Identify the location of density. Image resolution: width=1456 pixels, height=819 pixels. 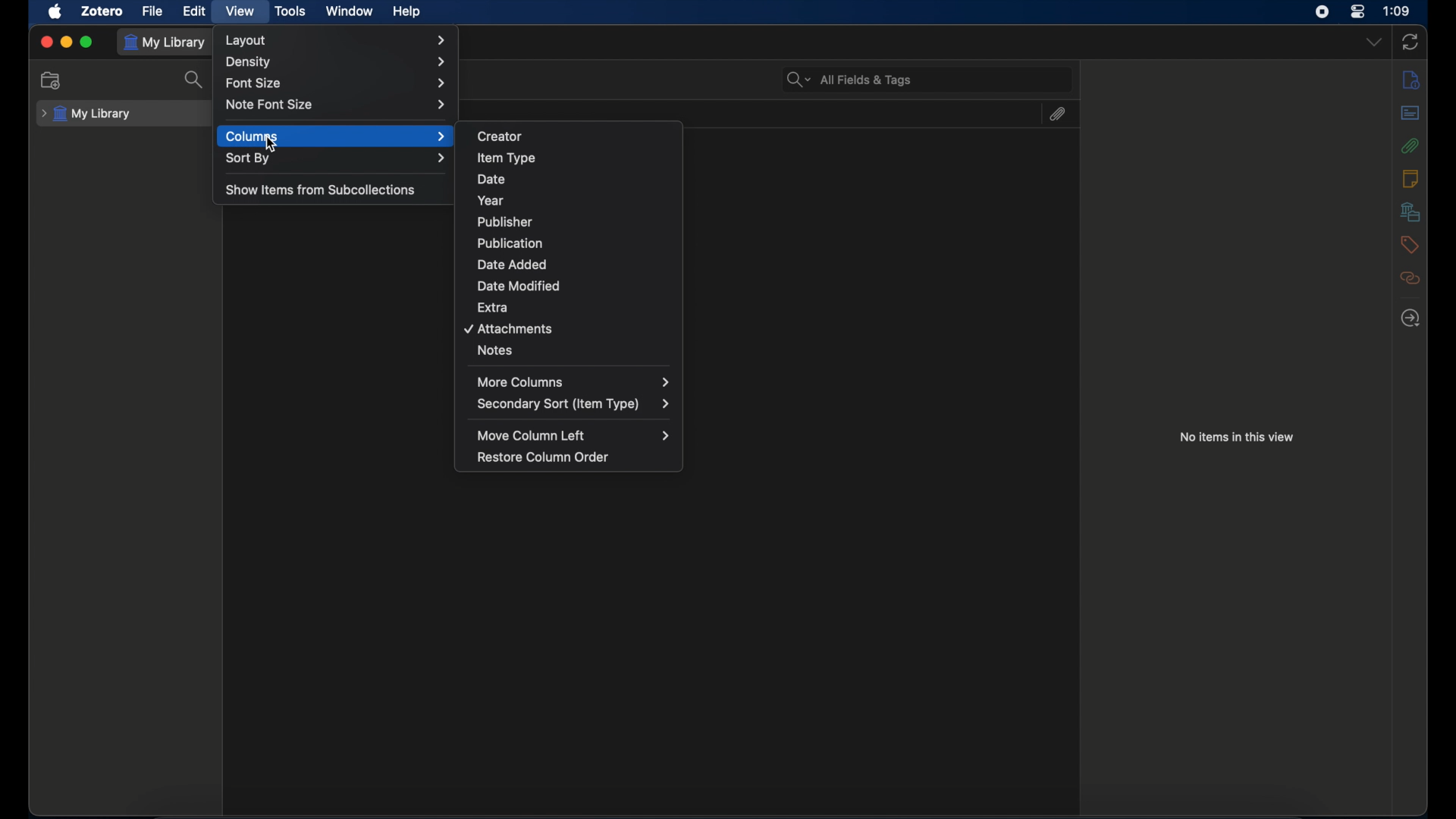
(340, 61).